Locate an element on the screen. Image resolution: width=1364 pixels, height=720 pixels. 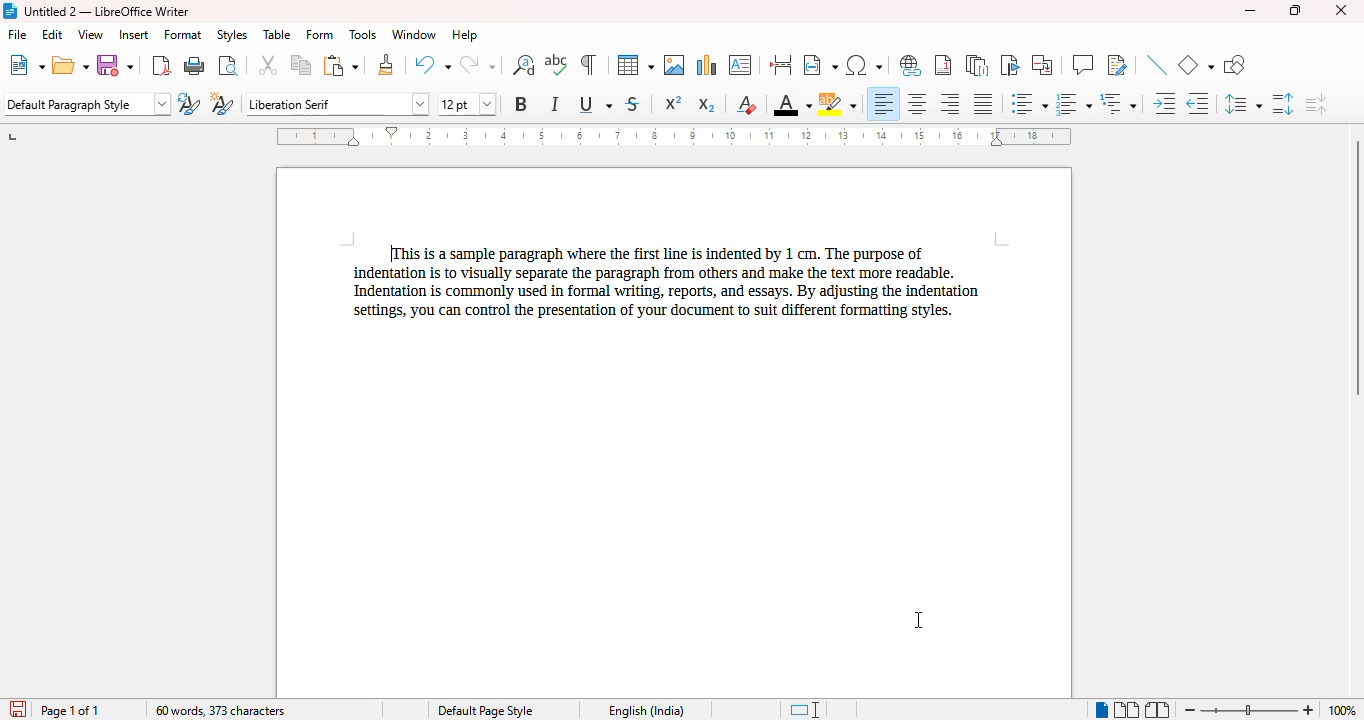
select outline format is located at coordinates (1119, 103).